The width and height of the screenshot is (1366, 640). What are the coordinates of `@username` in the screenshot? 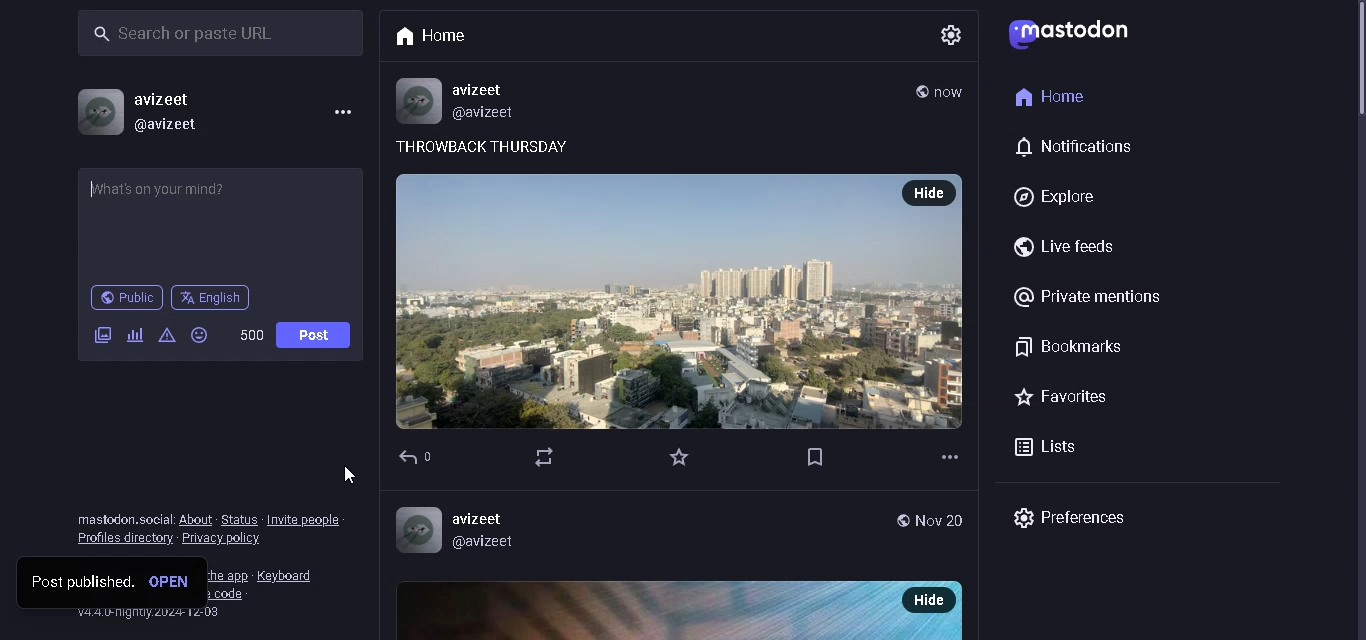 It's located at (173, 125).